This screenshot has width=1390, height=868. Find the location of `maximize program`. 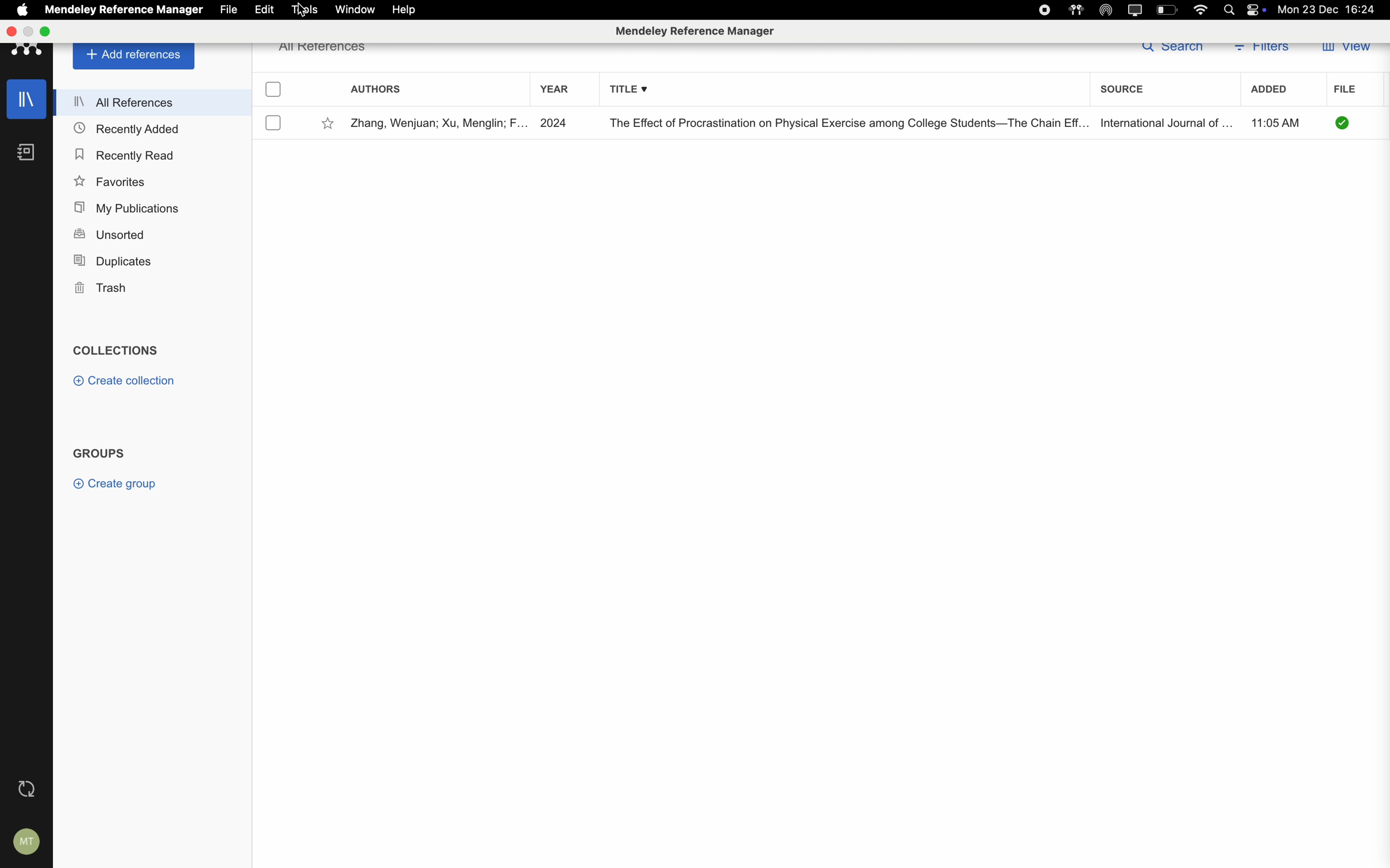

maximize program is located at coordinates (44, 31).